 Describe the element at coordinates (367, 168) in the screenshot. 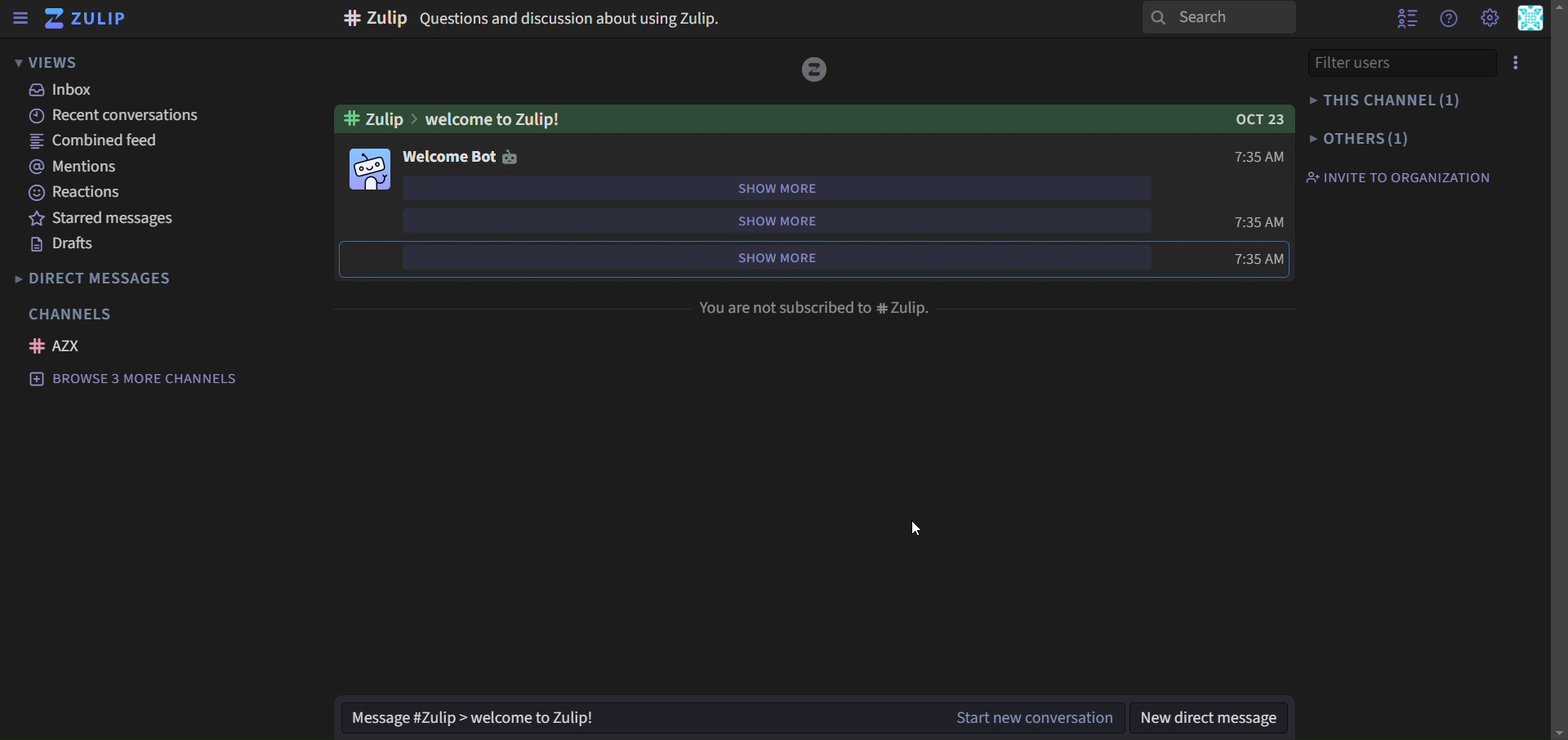

I see `image` at that location.